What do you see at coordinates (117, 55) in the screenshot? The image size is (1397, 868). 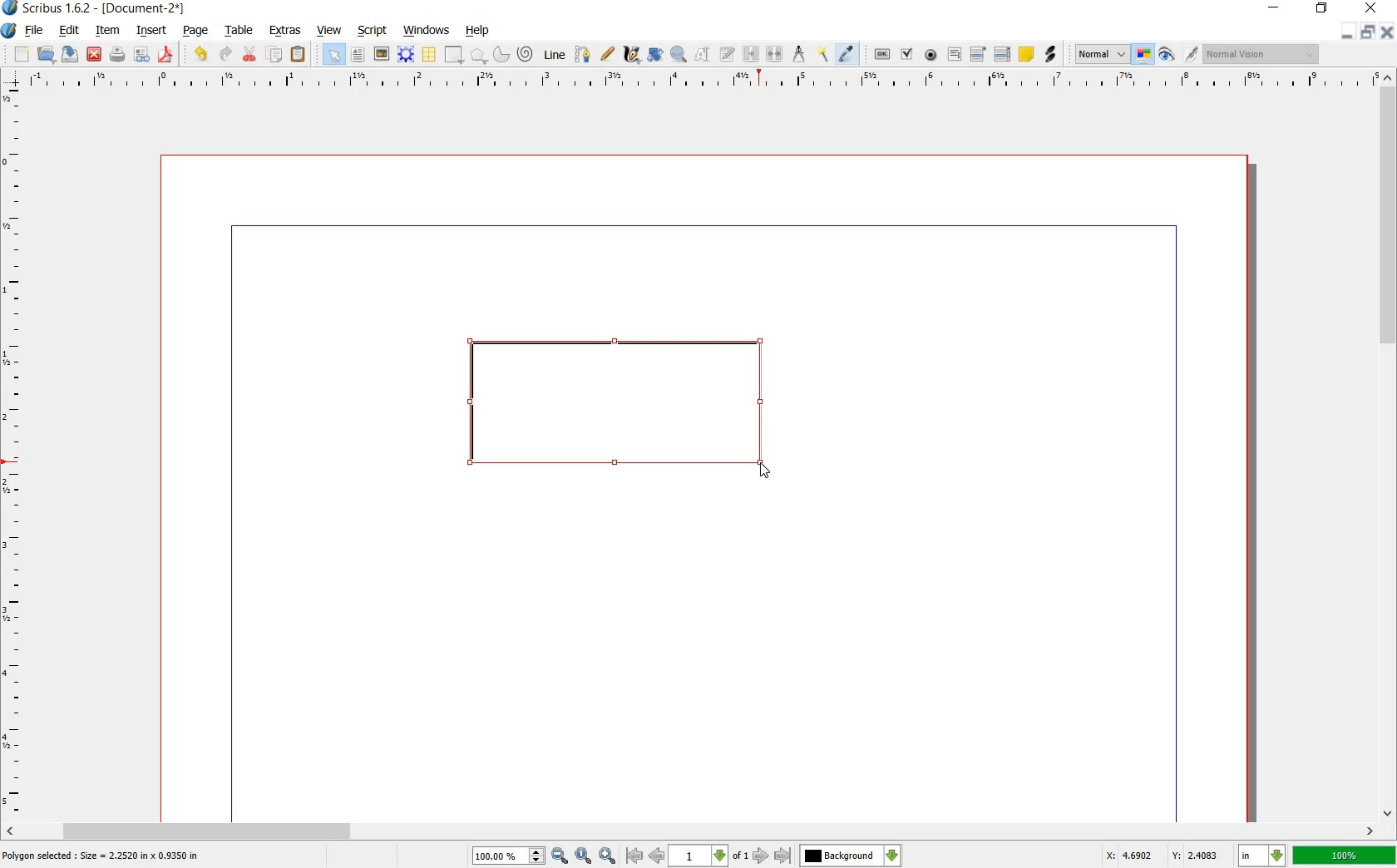 I see `PRINT` at bounding box center [117, 55].